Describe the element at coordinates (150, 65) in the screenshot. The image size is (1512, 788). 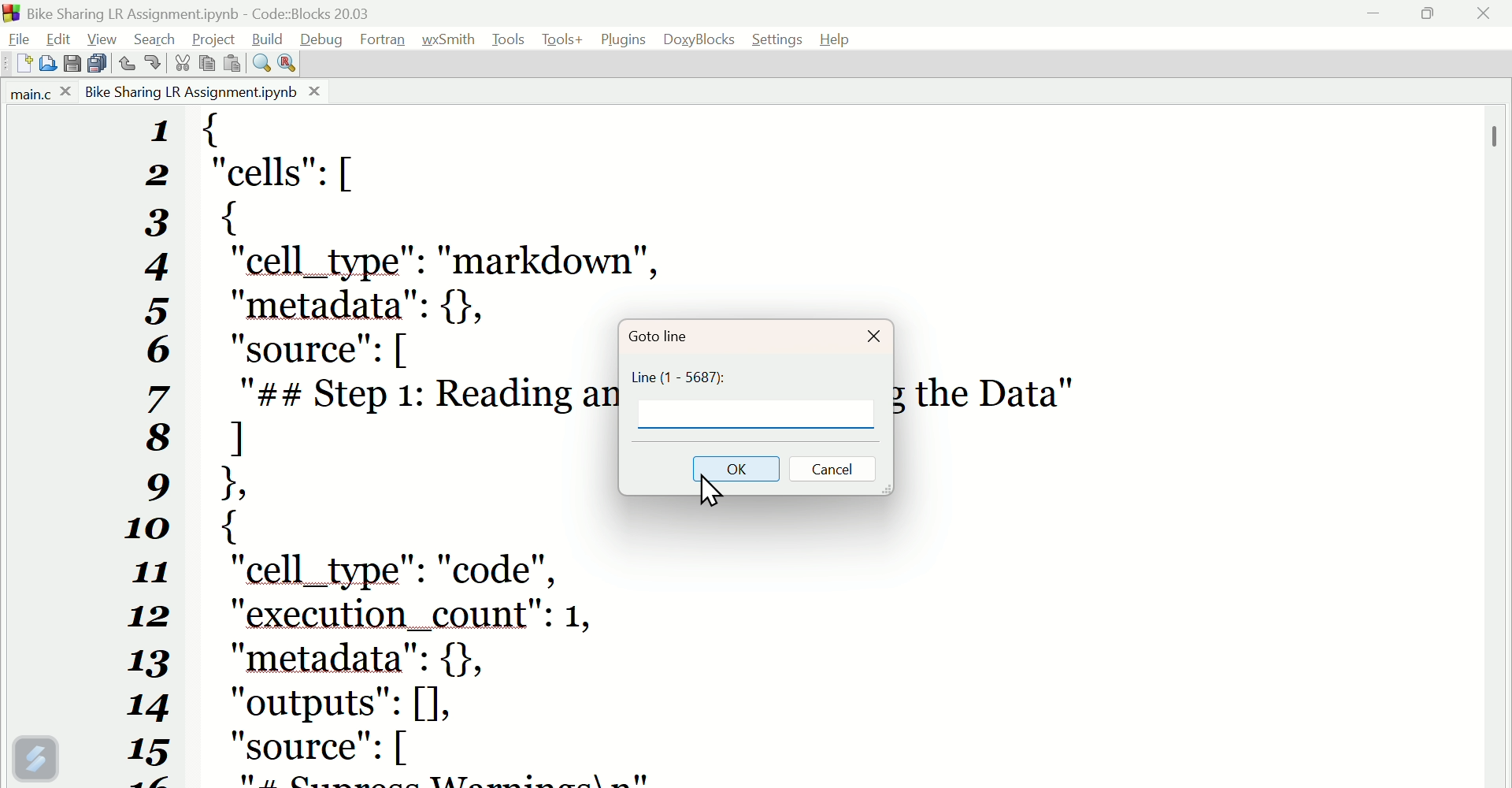
I see `Redo` at that location.